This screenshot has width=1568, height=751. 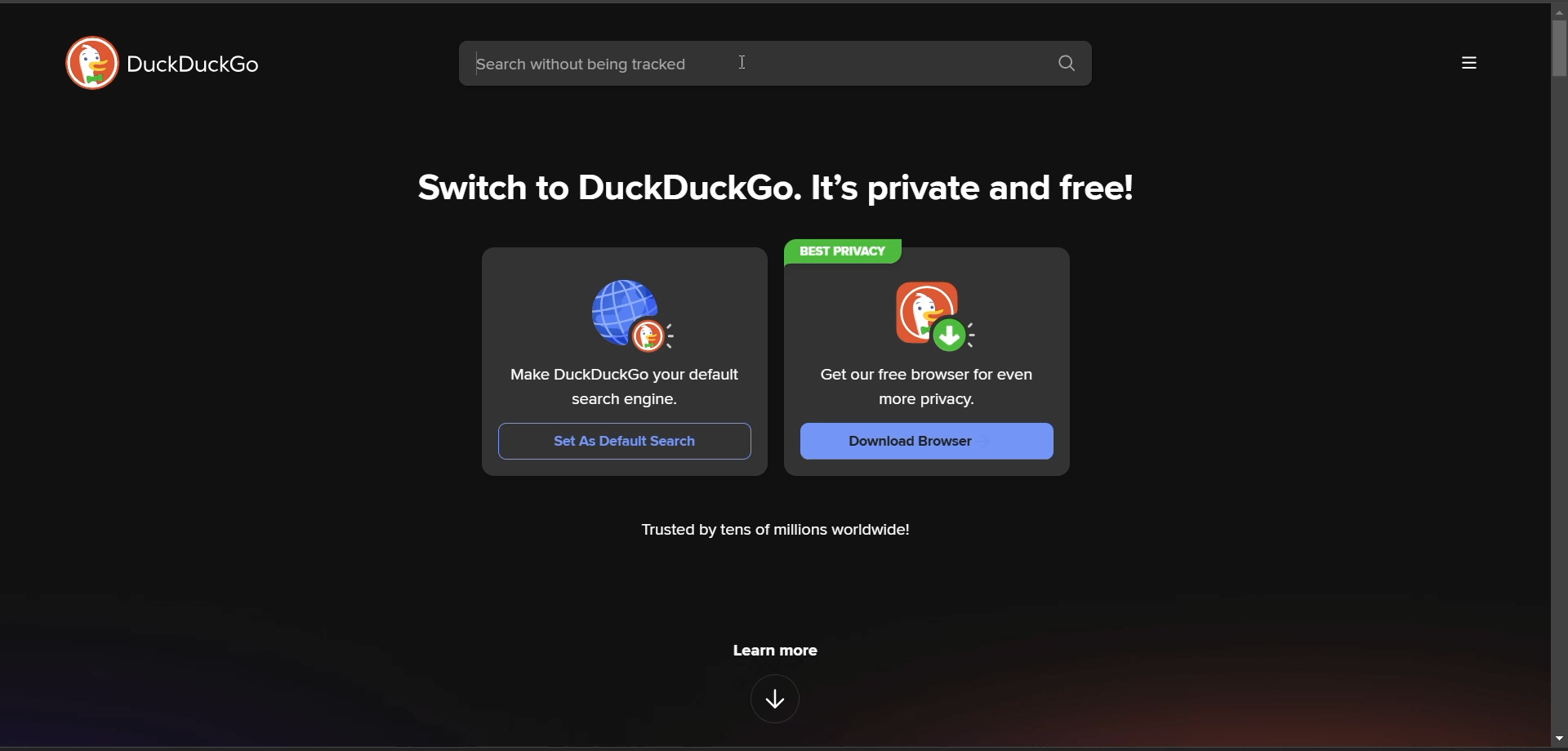 What do you see at coordinates (742, 64) in the screenshot?
I see `cursor` at bounding box center [742, 64].